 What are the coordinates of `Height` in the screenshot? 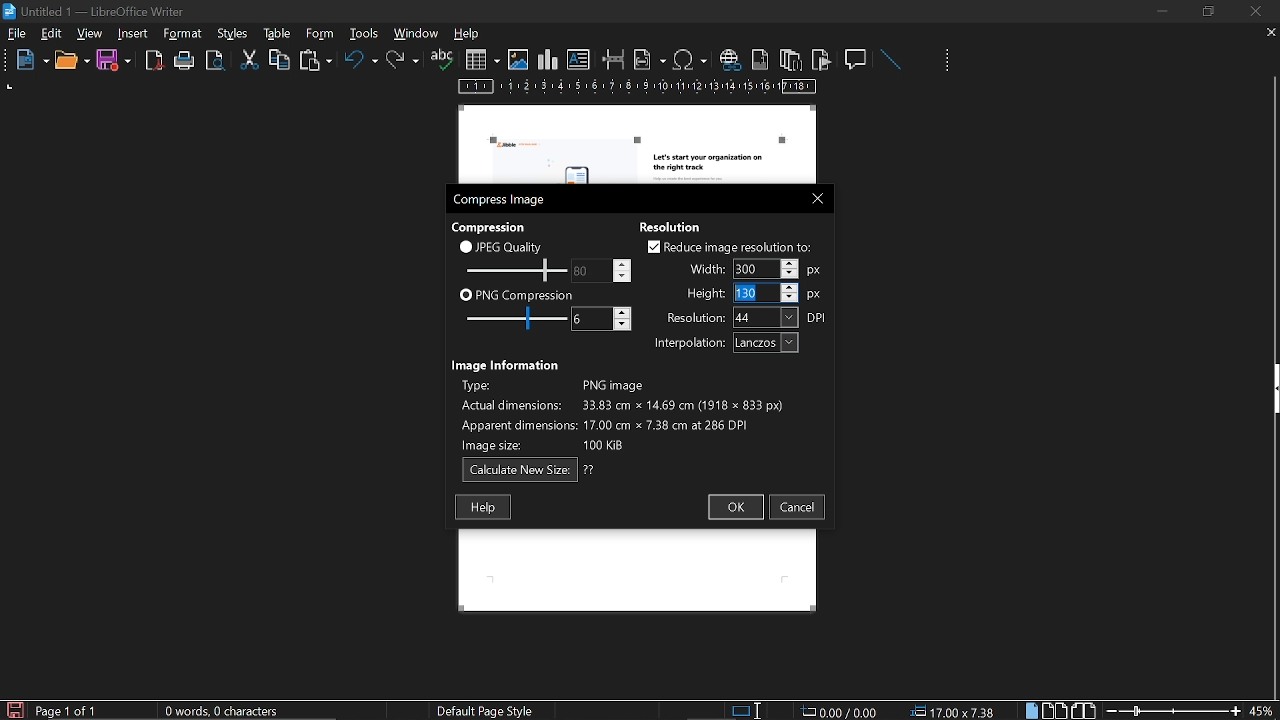 It's located at (753, 293).